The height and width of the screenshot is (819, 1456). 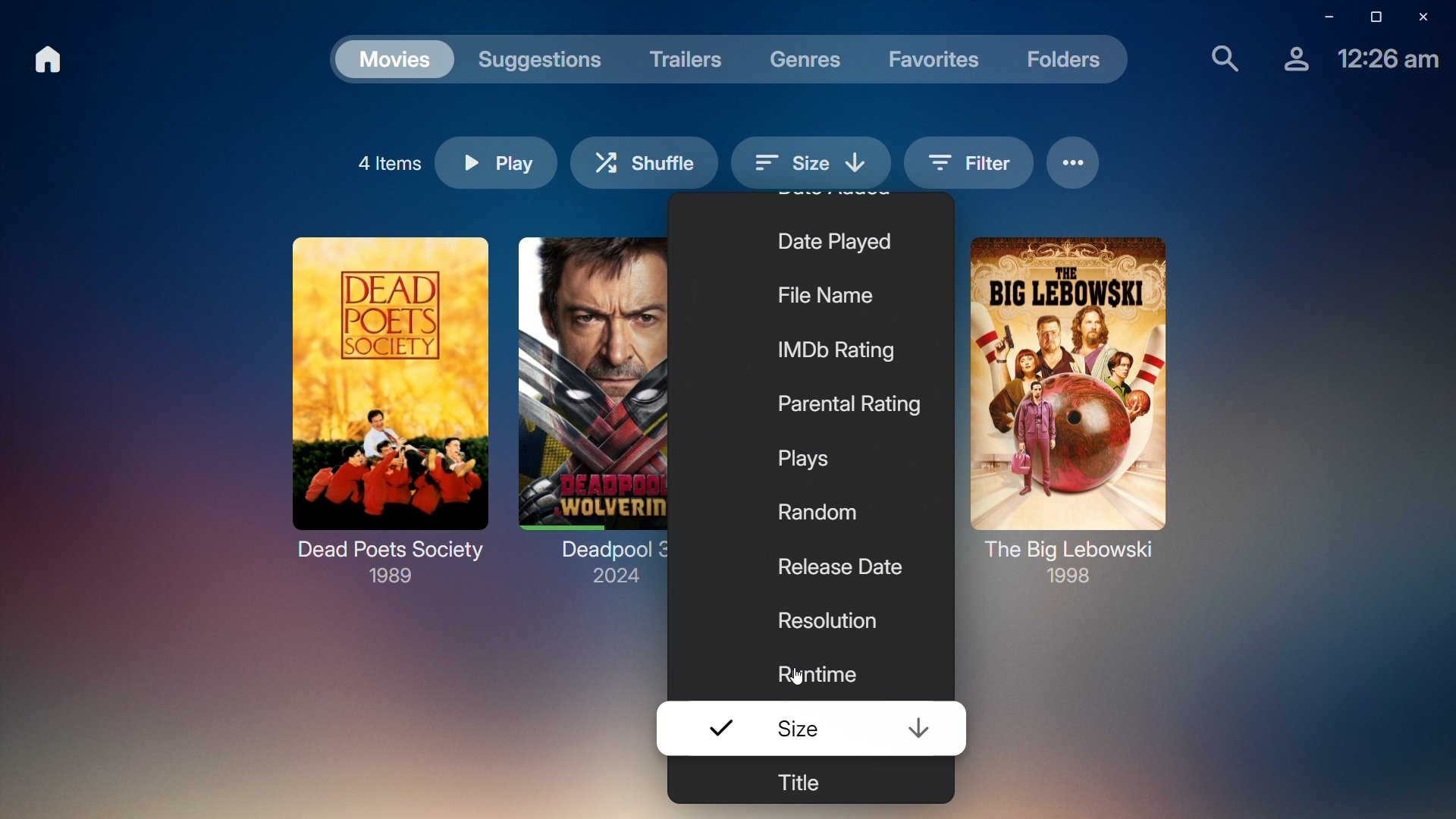 I want to click on Play, so click(x=498, y=164).